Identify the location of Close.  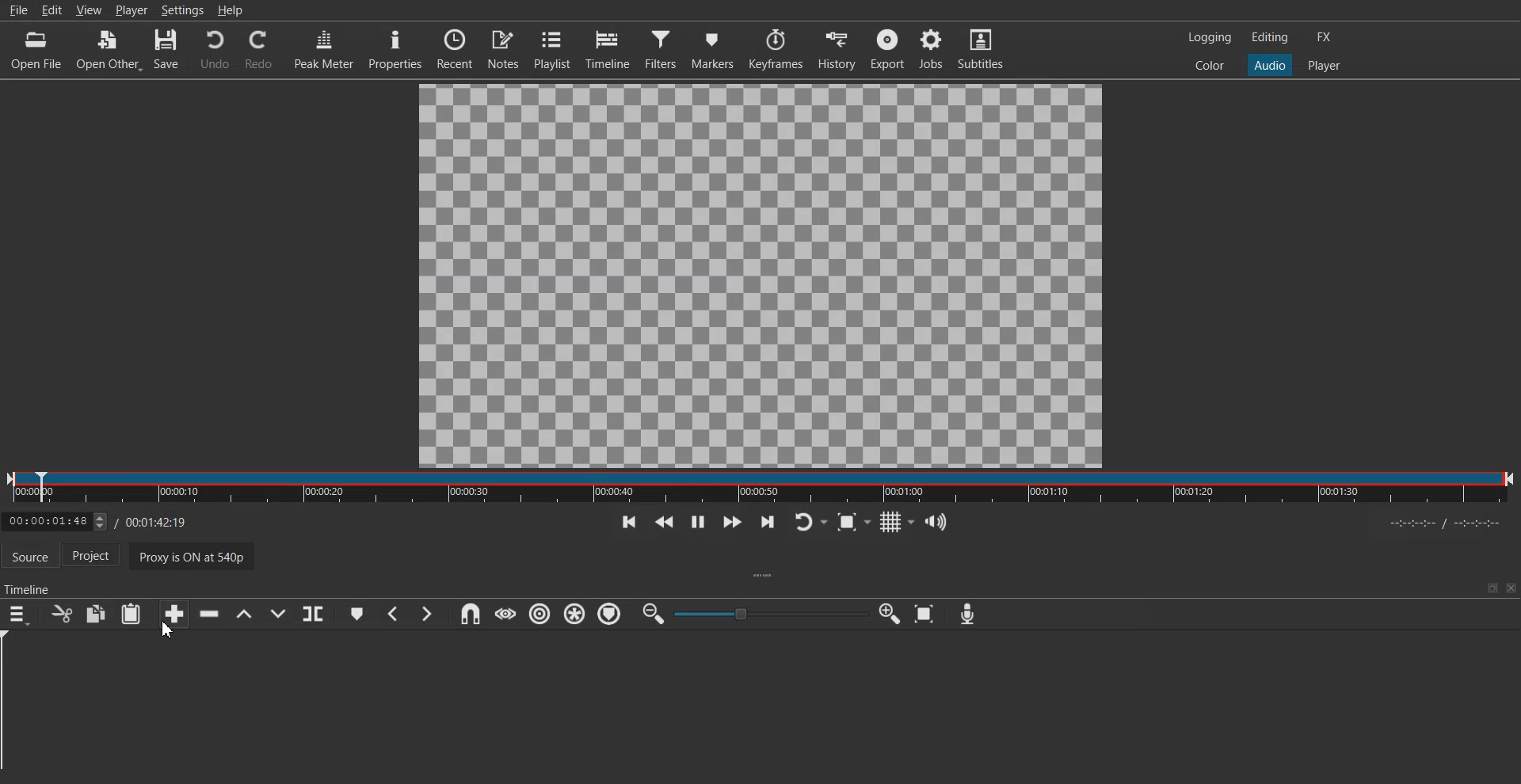
(1511, 588).